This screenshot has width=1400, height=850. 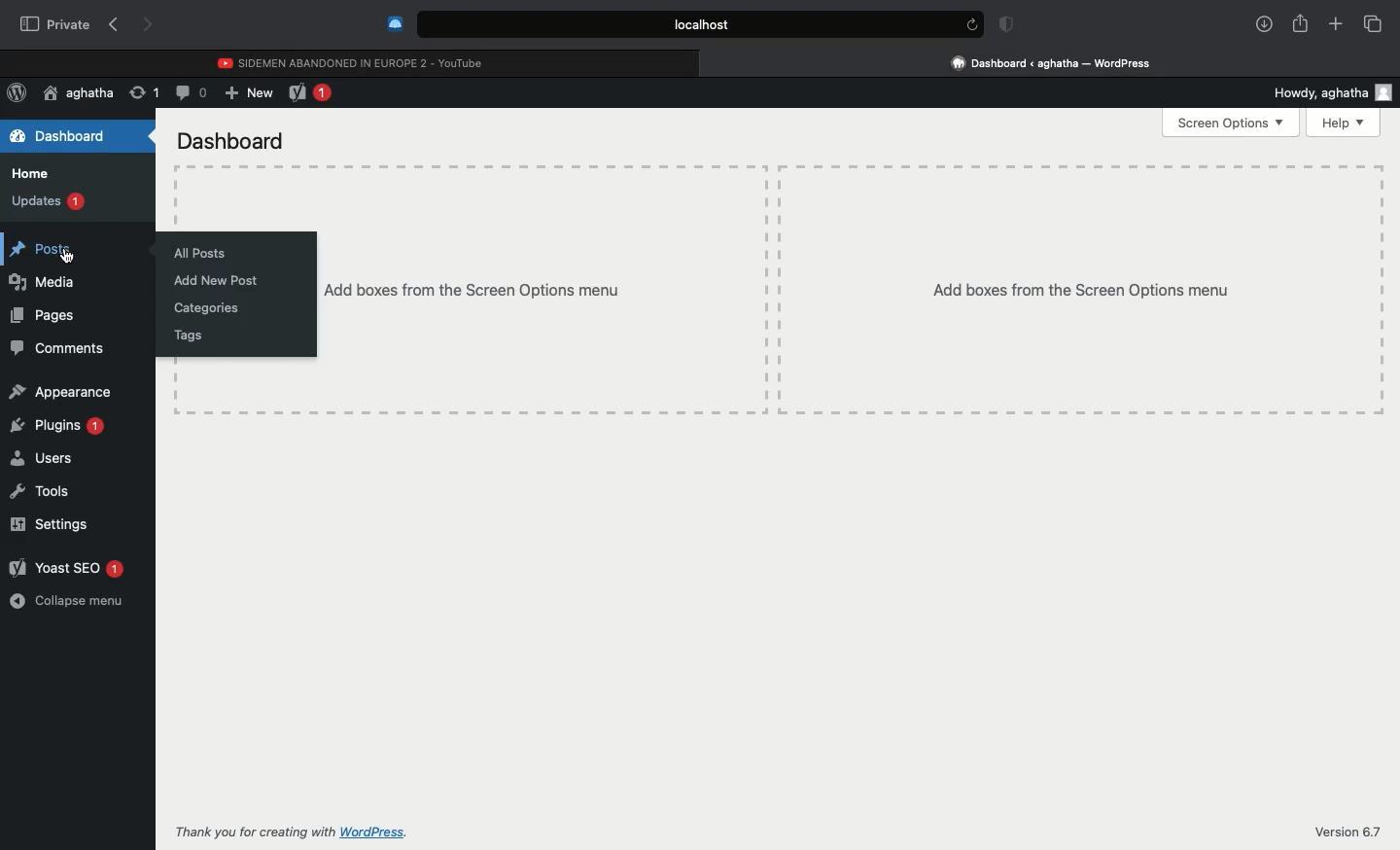 What do you see at coordinates (43, 318) in the screenshot?
I see `Pages` at bounding box center [43, 318].